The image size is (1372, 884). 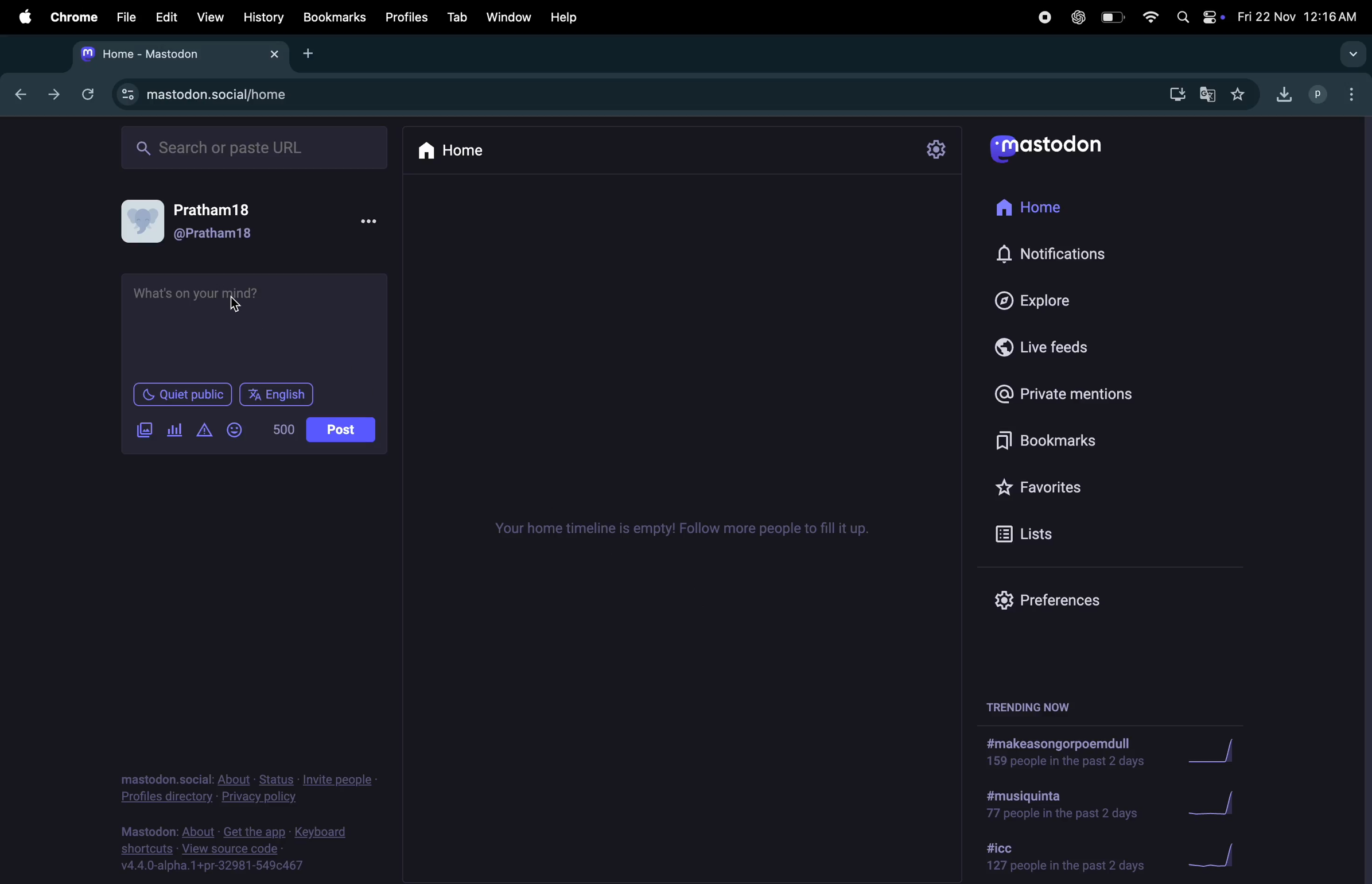 What do you see at coordinates (406, 18) in the screenshot?
I see `profiles` at bounding box center [406, 18].